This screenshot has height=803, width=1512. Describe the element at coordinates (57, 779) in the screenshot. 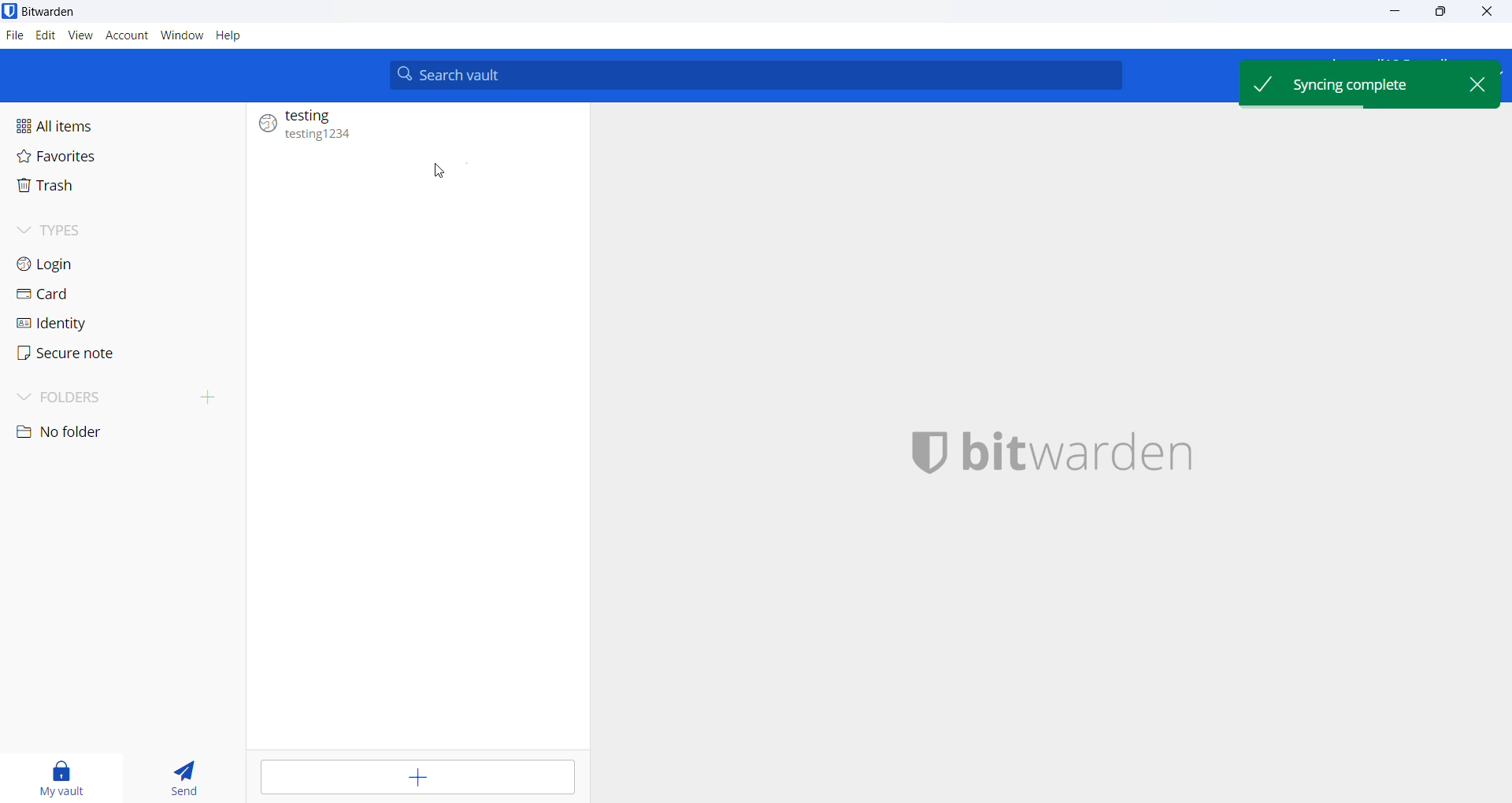

I see `my vault` at that location.